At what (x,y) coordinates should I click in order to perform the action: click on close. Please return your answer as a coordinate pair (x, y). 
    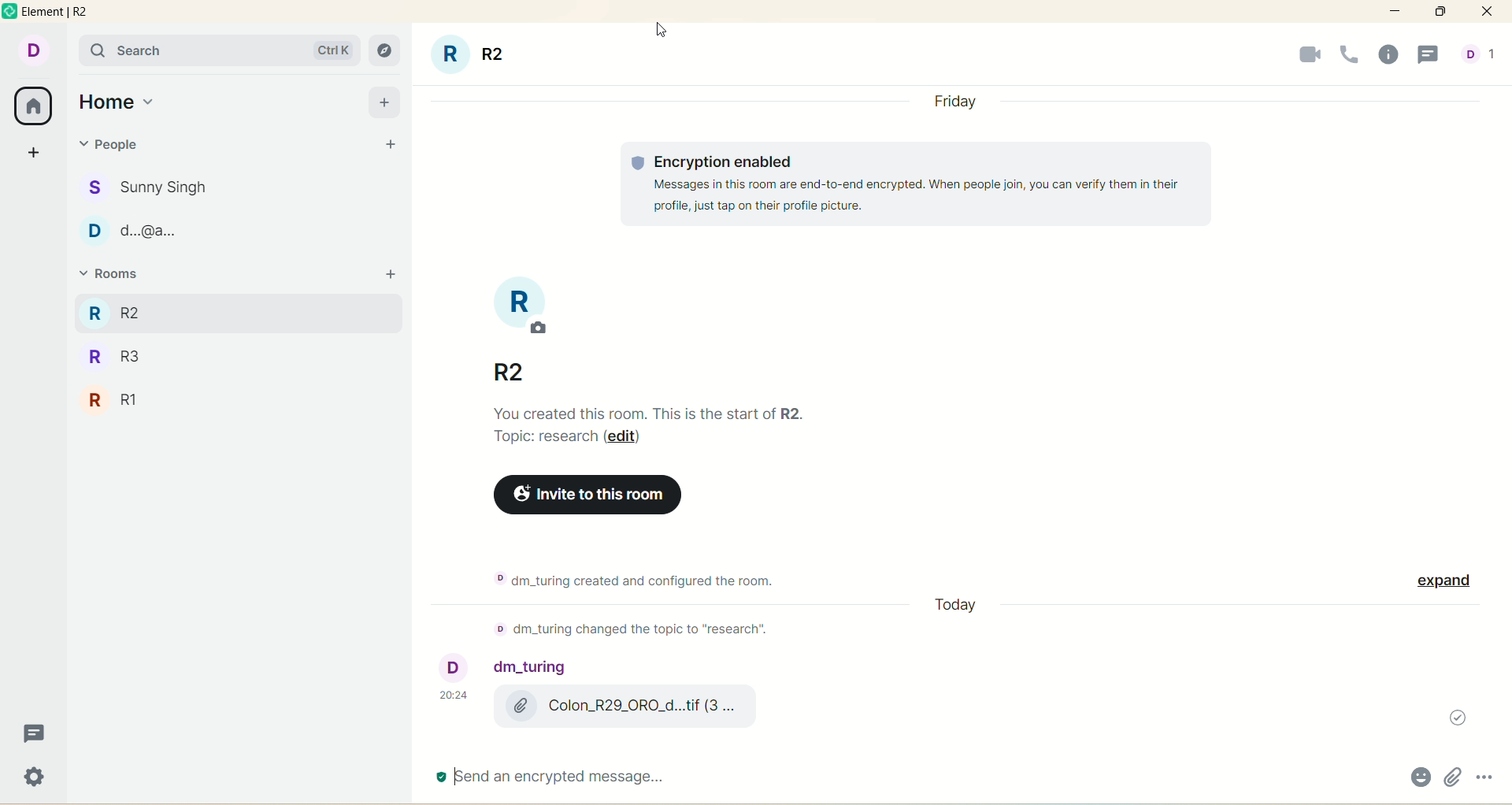
    Looking at the image, I should click on (1487, 12).